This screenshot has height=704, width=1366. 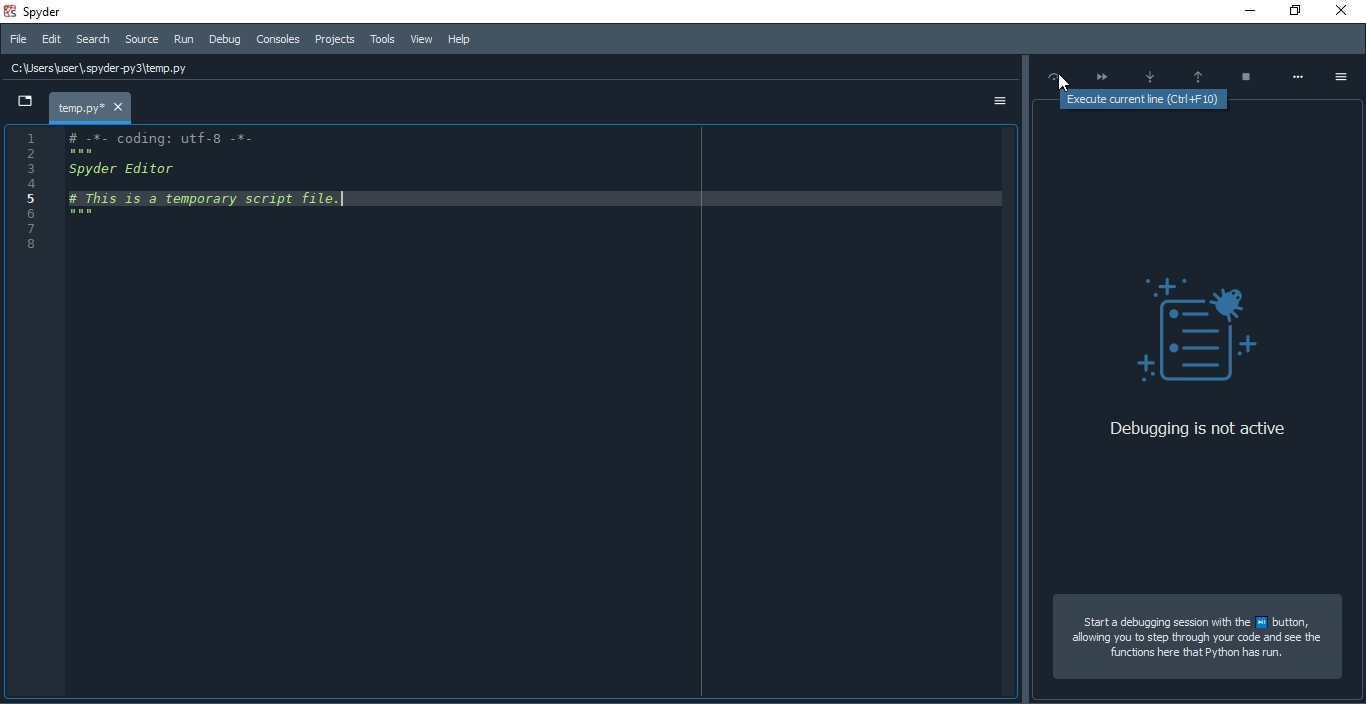 I want to click on Edit, so click(x=53, y=38).